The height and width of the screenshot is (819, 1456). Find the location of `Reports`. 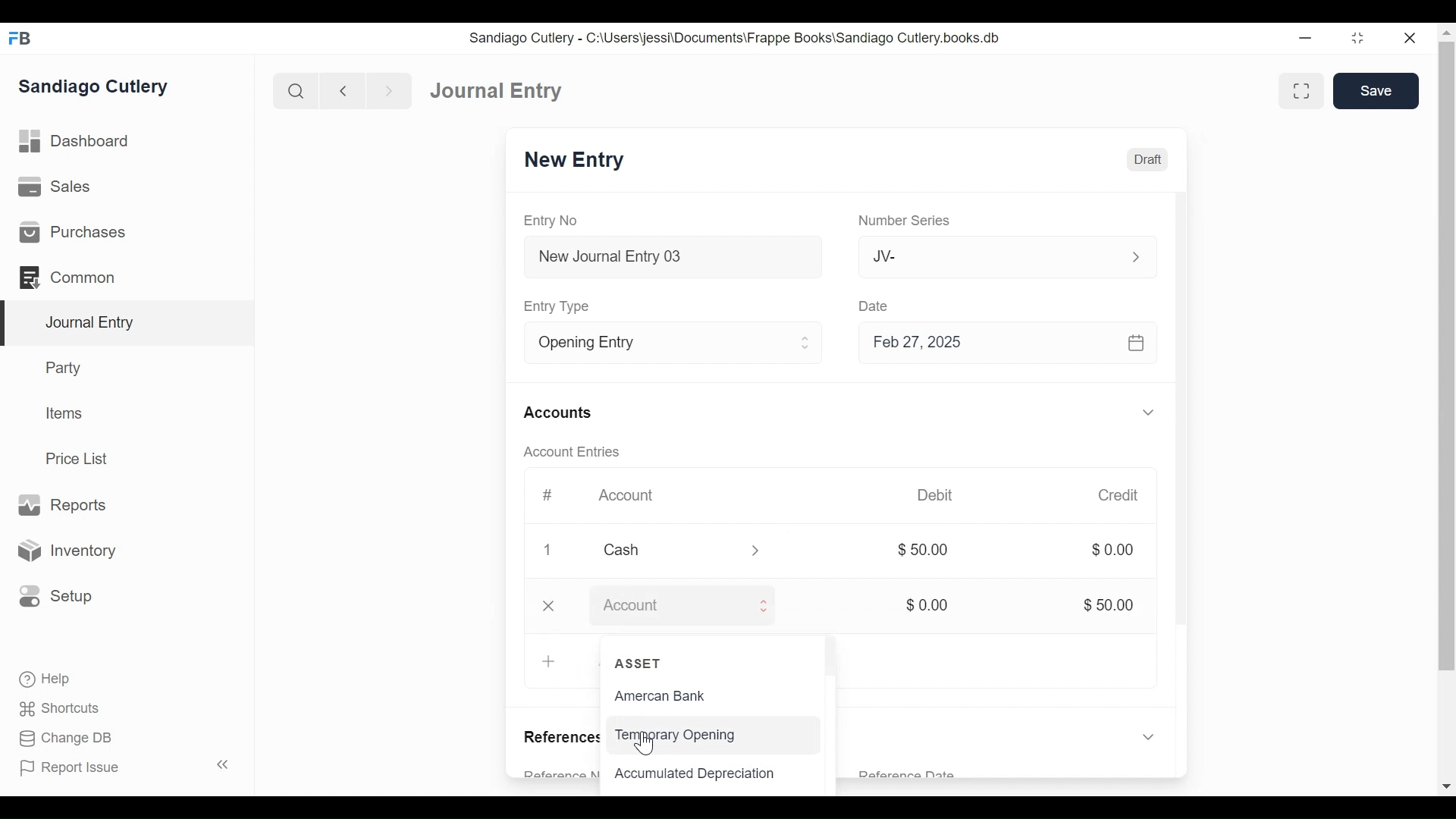

Reports is located at coordinates (67, 505).